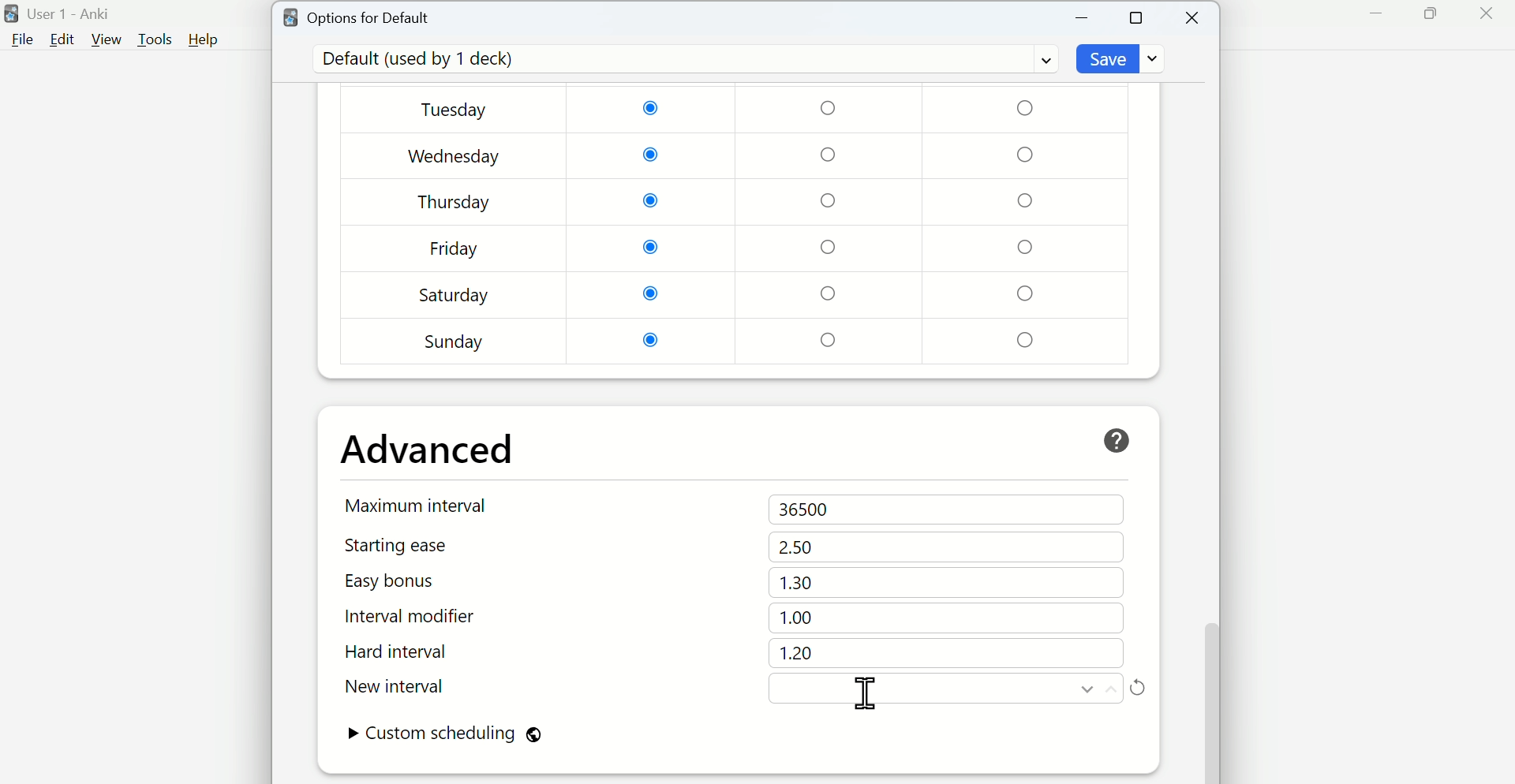 The image size is (1515, 784). Describe the element at coordinates (796, 653) in the screenshot. I see `1.20` at that location.